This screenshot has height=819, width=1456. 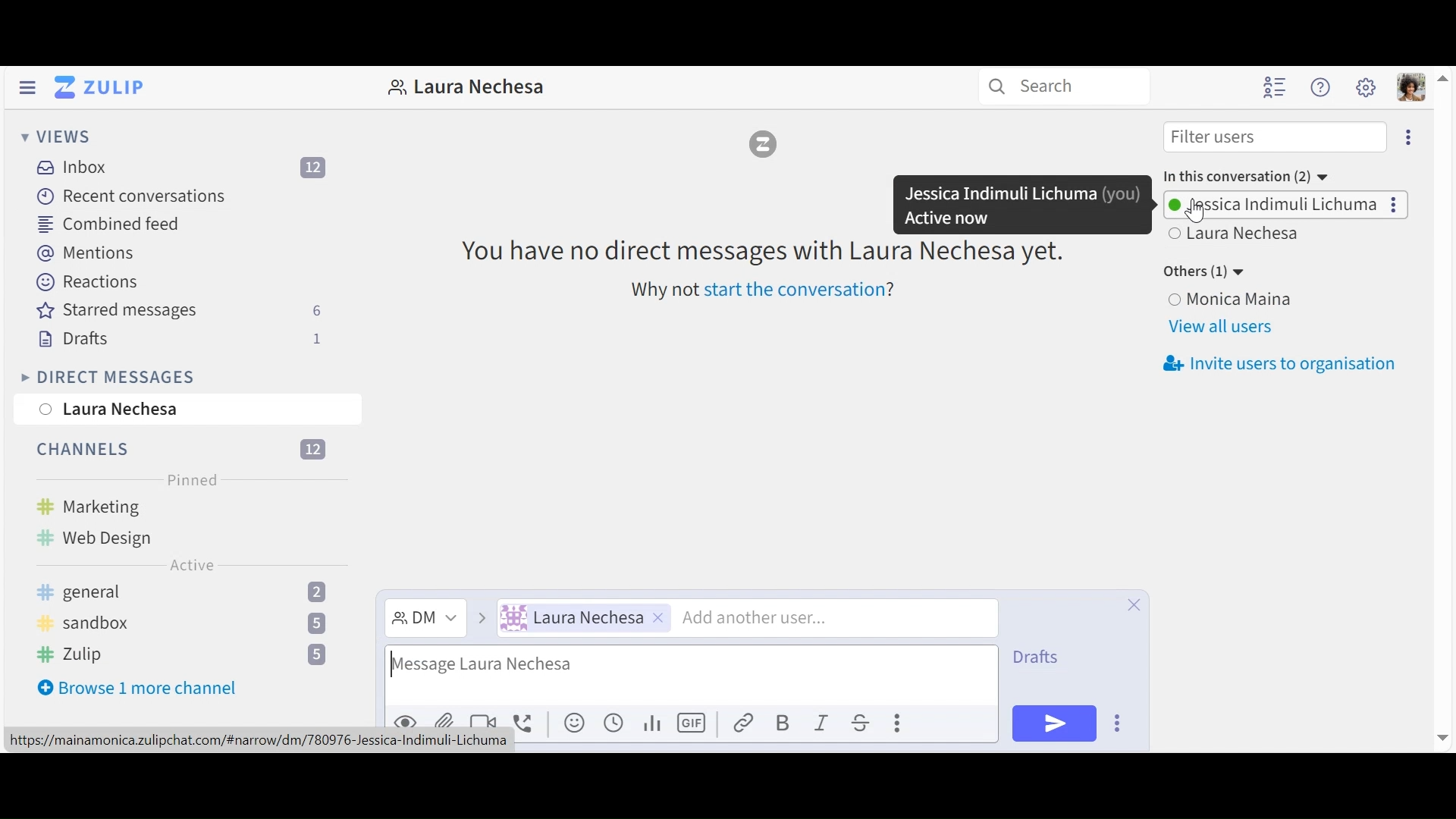 What do you see at coordinates (1117, 722) in the screenshot?
I see `compose actions` at bounding box center [1117, 722].